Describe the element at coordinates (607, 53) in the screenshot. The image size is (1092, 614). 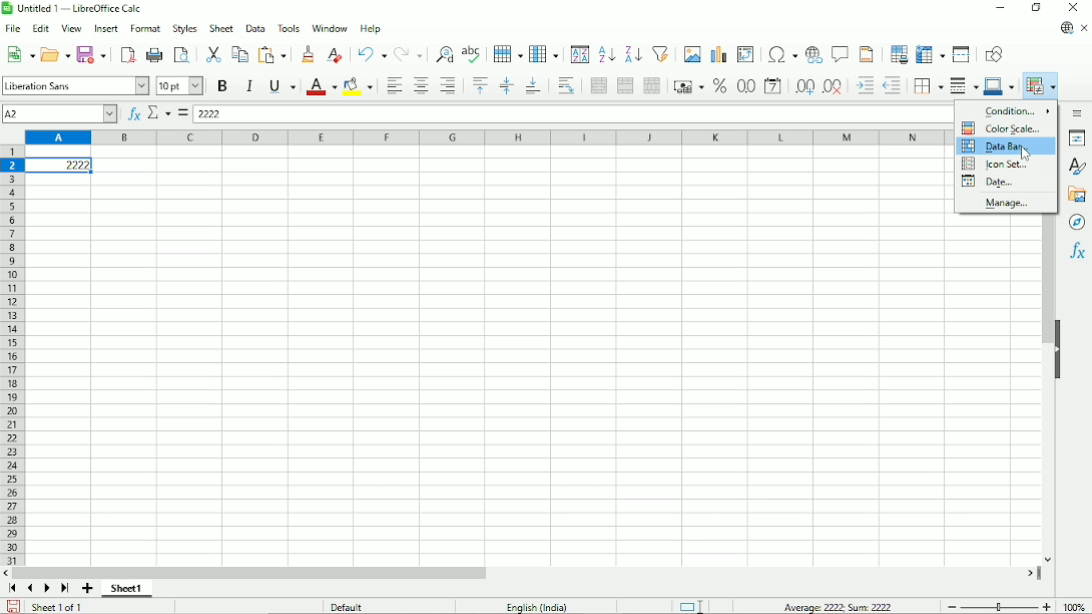
I see `Sort ascending` at that location.